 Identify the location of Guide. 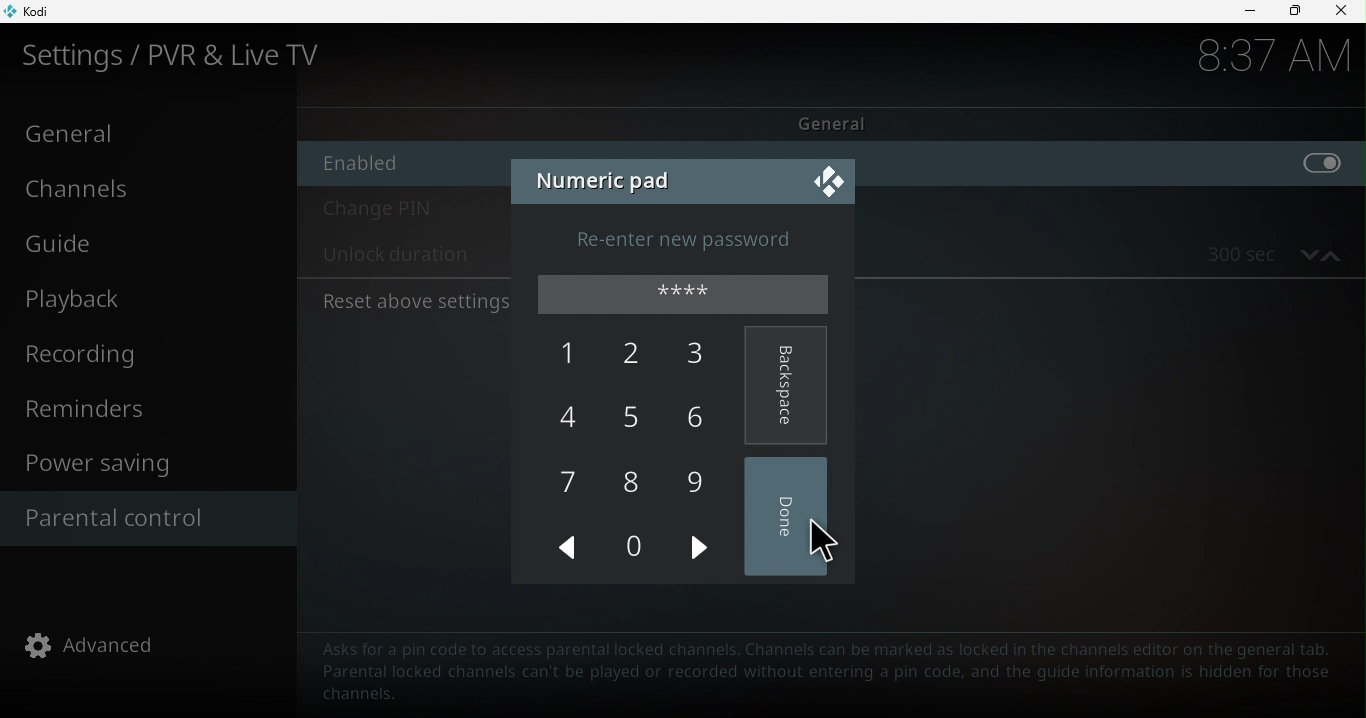
(144, 242).